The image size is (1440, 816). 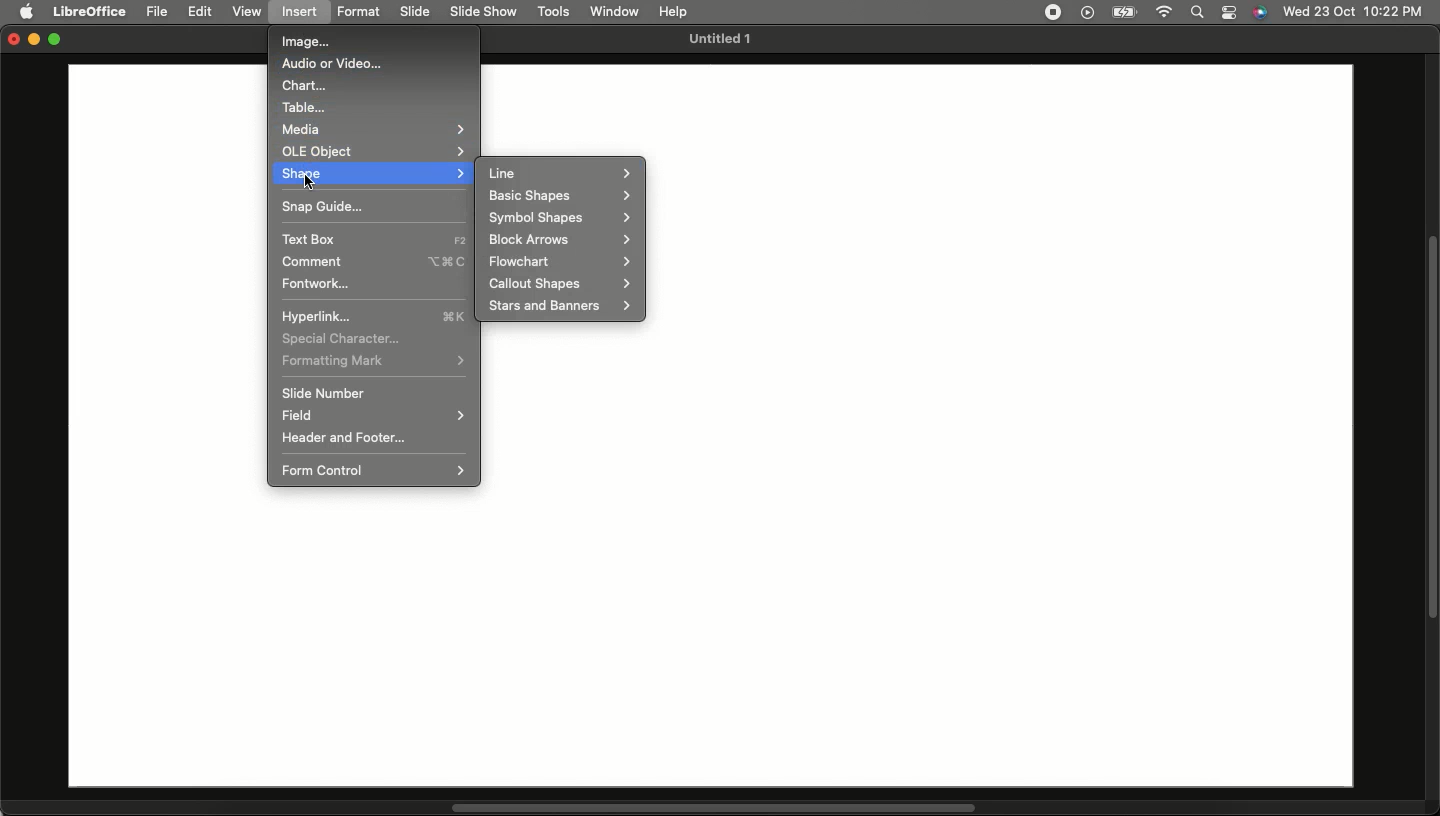 What do you see at coordinates (557, 305) in the screenshot?
I see `Stars and banners` at bounding box center [557, 305].